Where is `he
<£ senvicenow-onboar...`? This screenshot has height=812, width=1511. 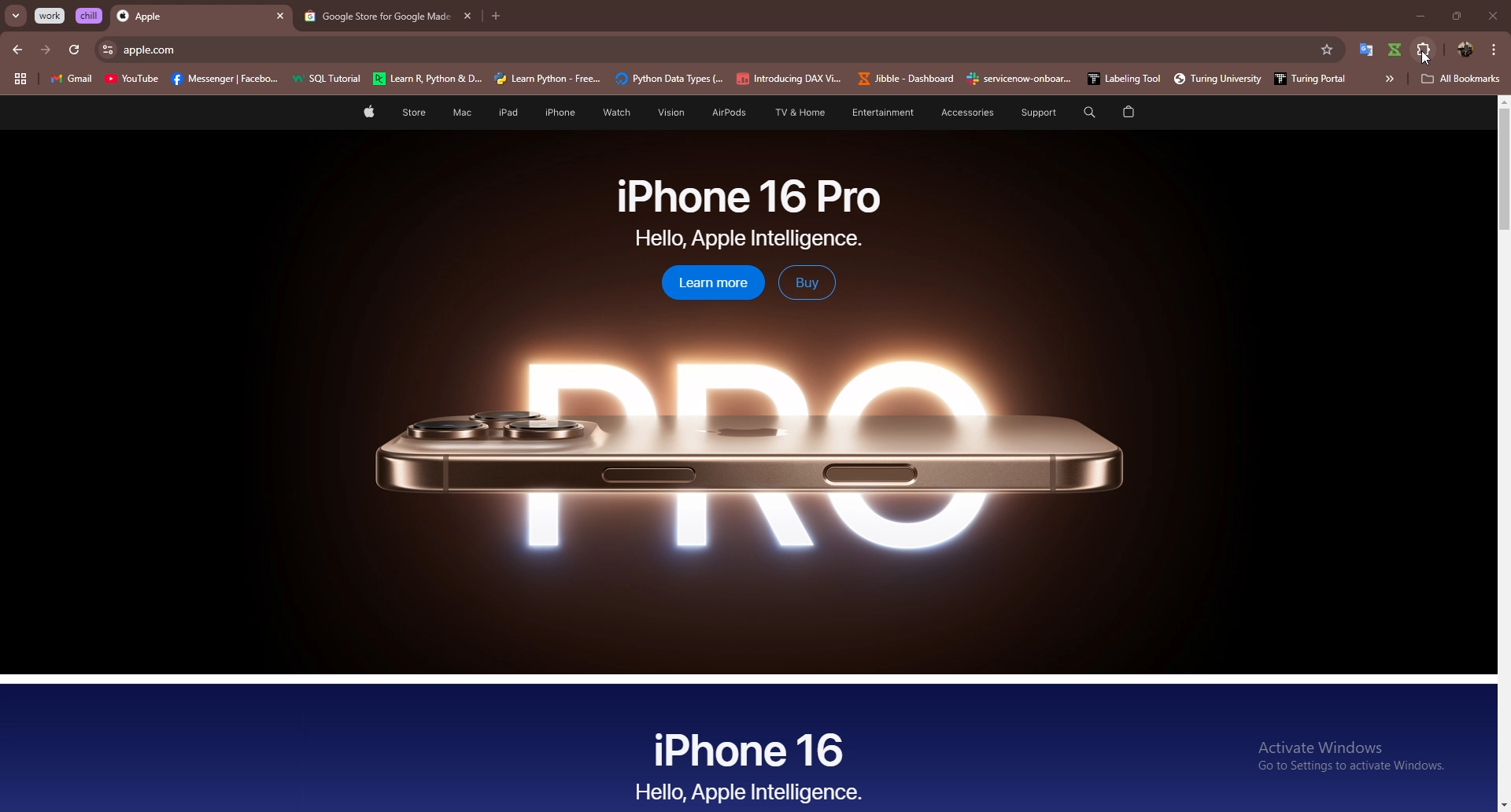
he
<£ senvicenow-onboar... is located at coordinates (1020, 79).